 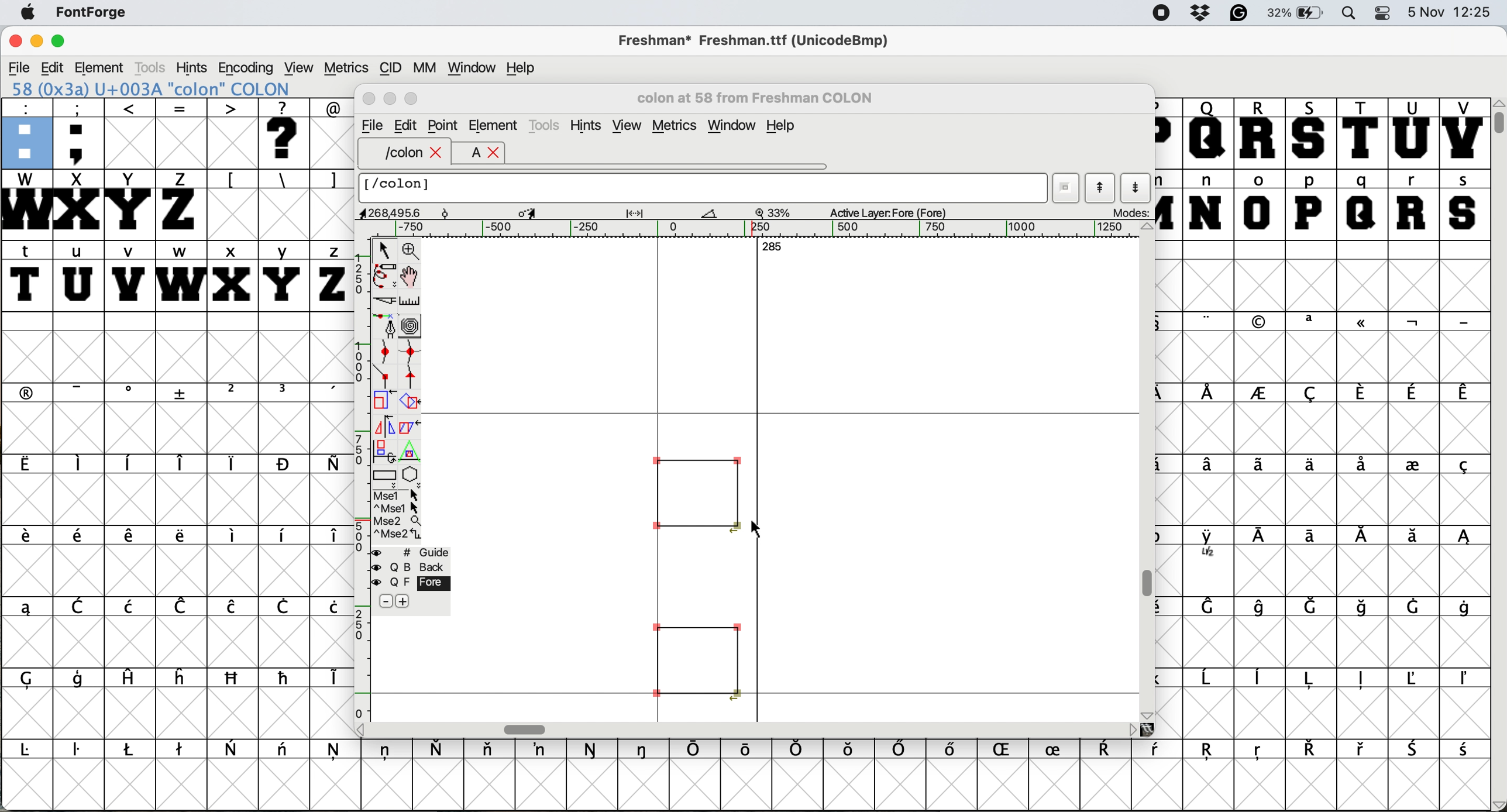 I want to click on symbol, so click(x=129, y=679).